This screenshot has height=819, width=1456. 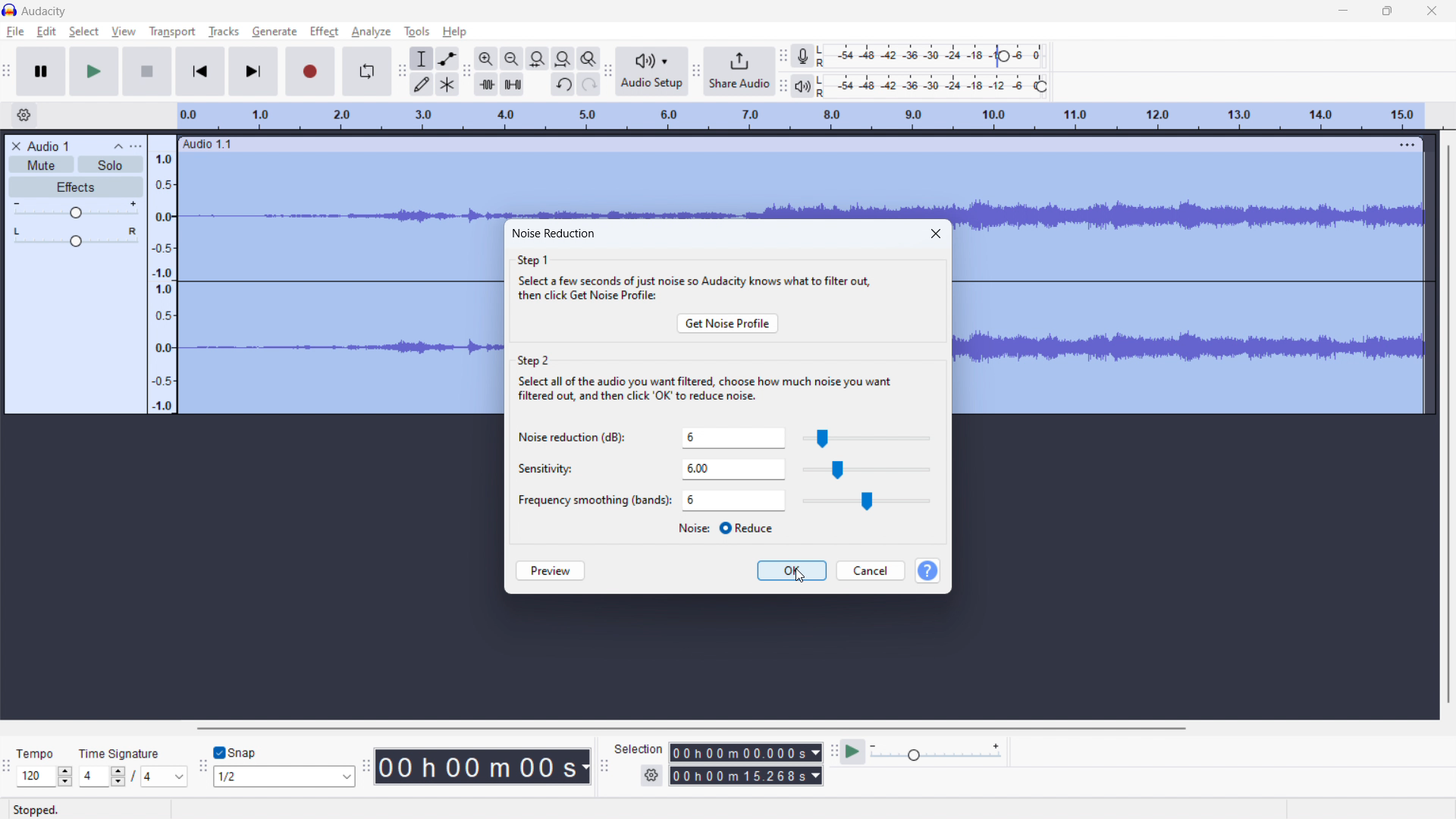 I want to click on zoom out, so click(x=511, y=58).